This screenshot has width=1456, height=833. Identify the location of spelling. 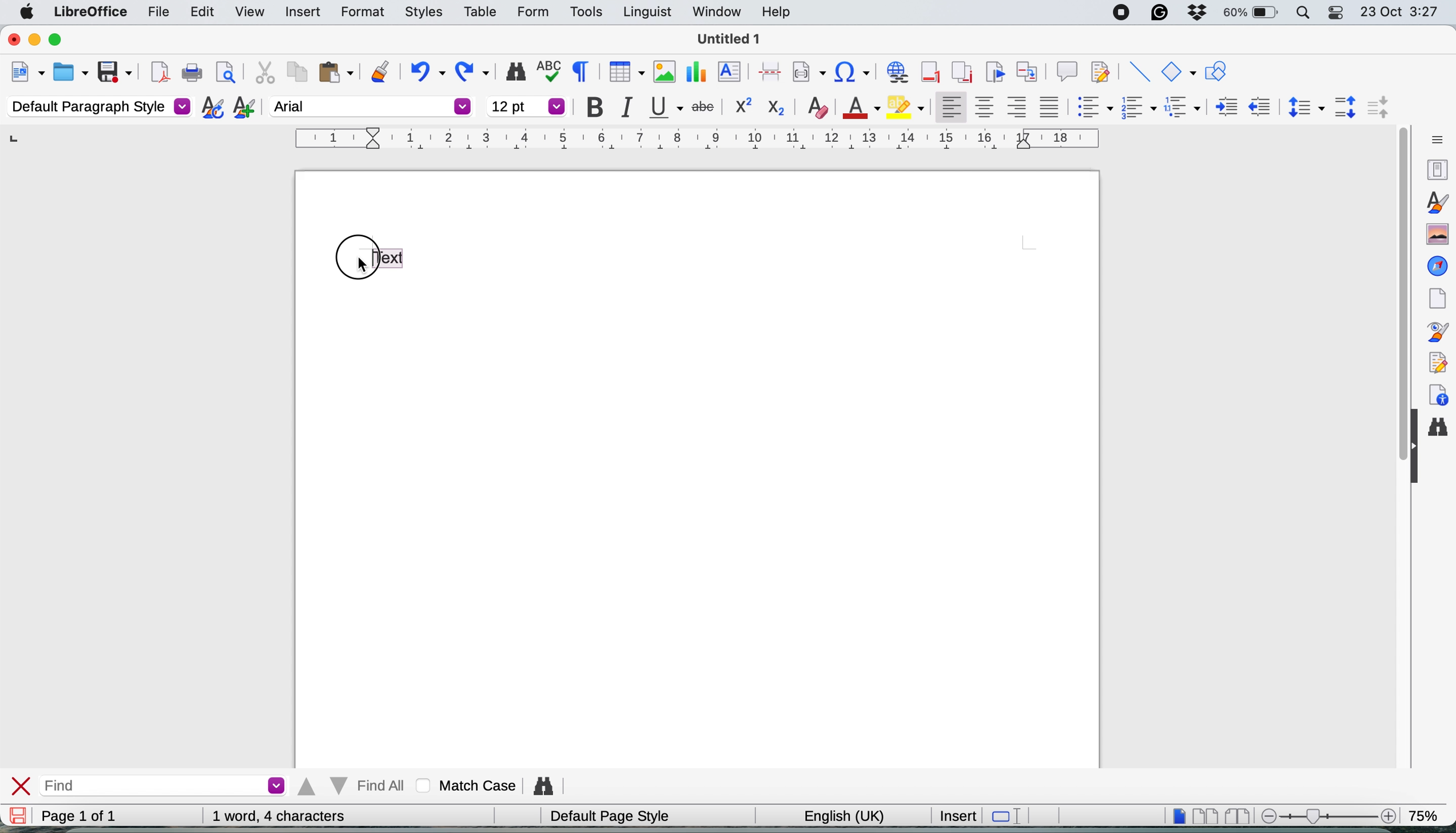
(547, 70).